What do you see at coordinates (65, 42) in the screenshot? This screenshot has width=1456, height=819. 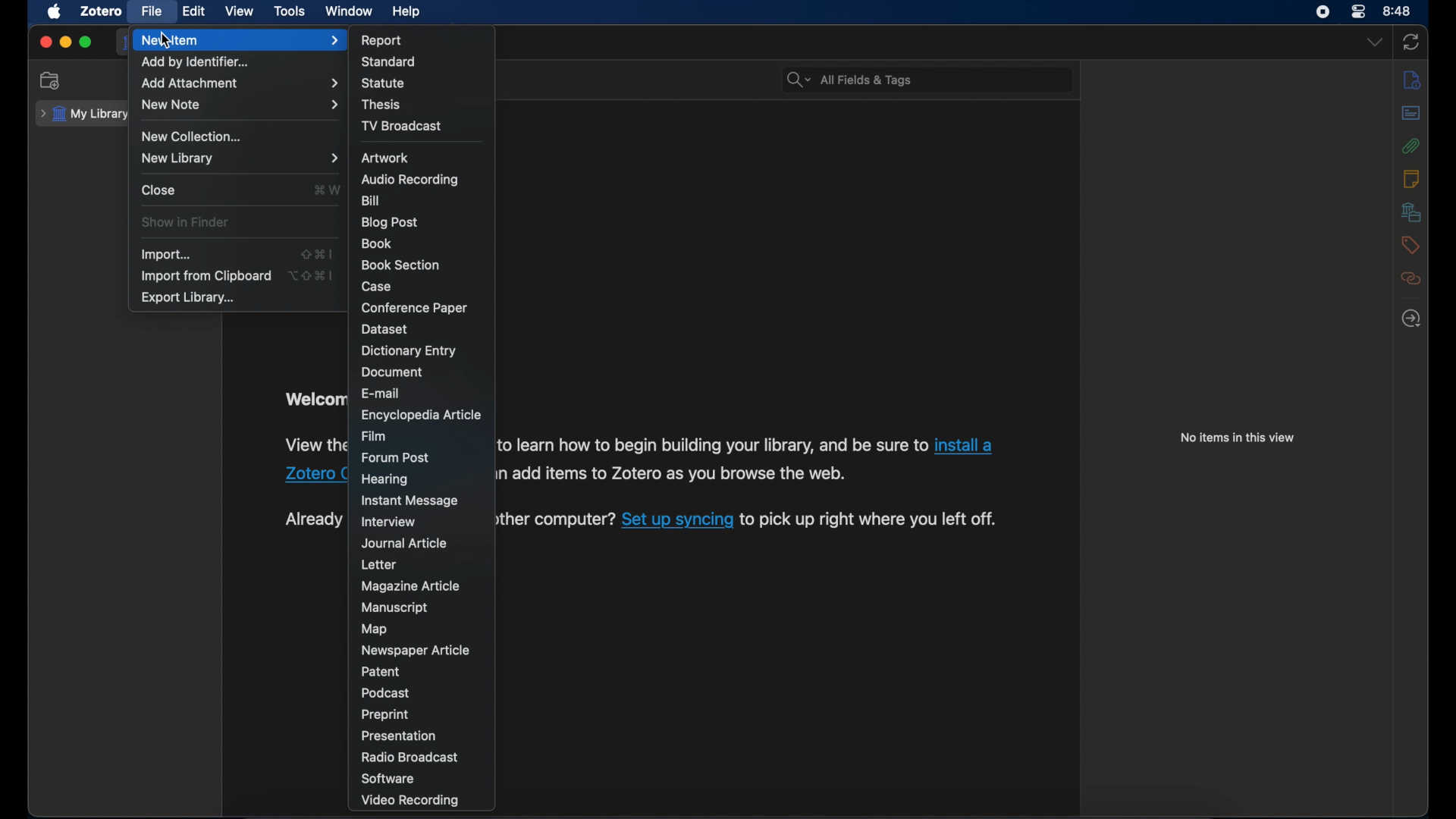 I see `minimize` at bounding box center [65, 42].